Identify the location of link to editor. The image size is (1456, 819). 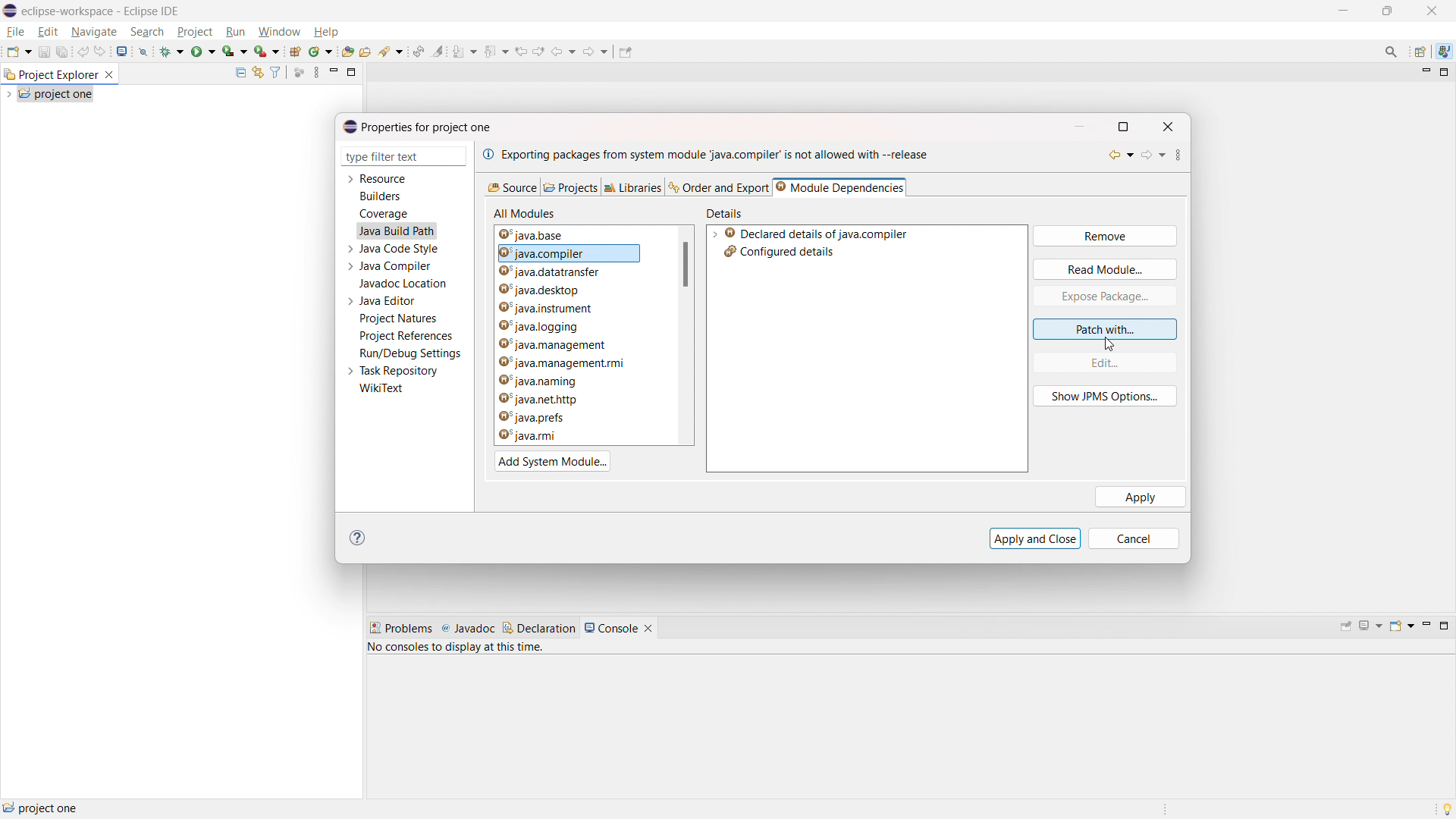
(256, 73).